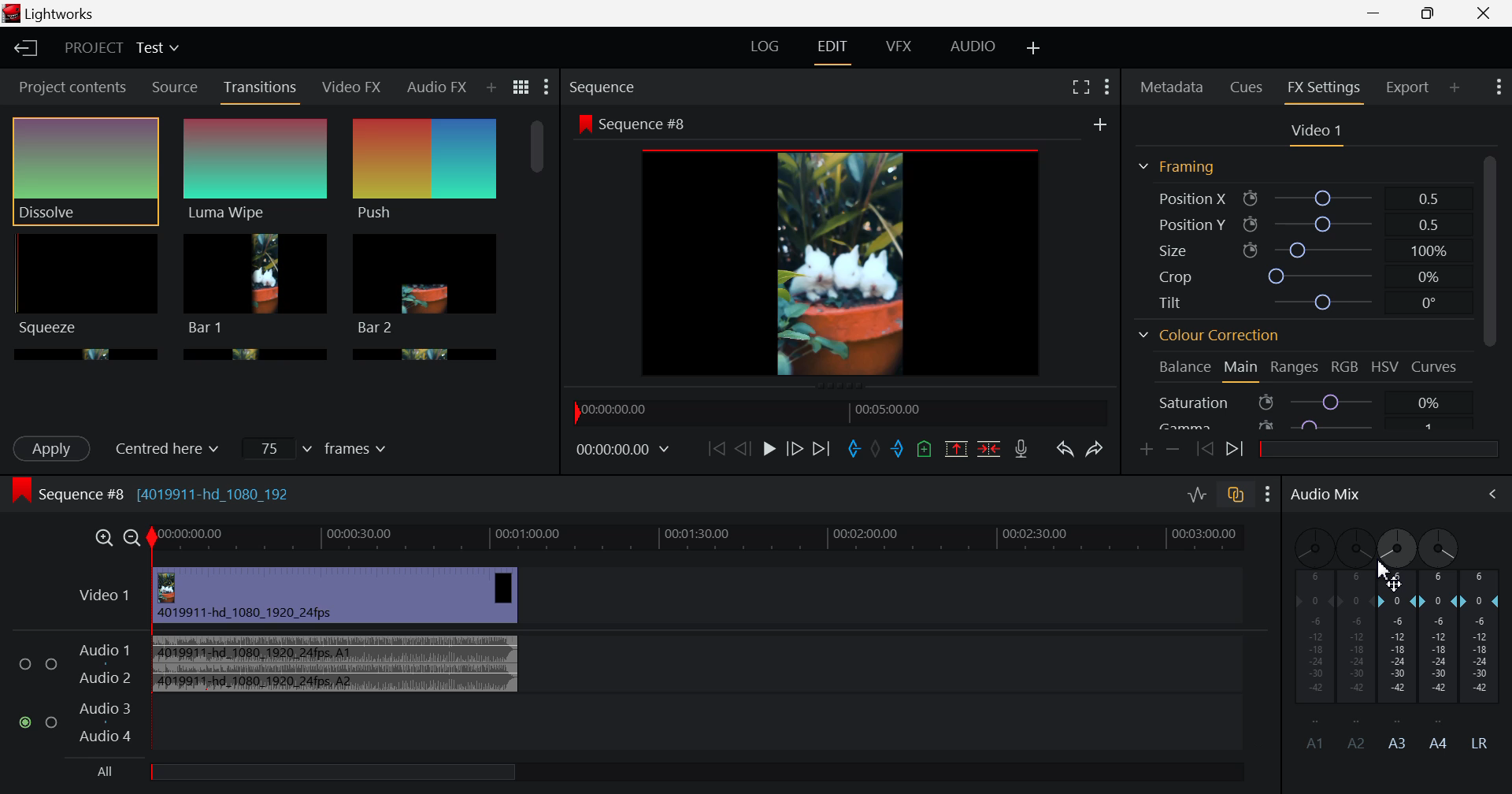 This screenshot has height=794, width=1512. Describe the element at coordinates (1096, 451) in the screenshot. I see `Redo` at that location.